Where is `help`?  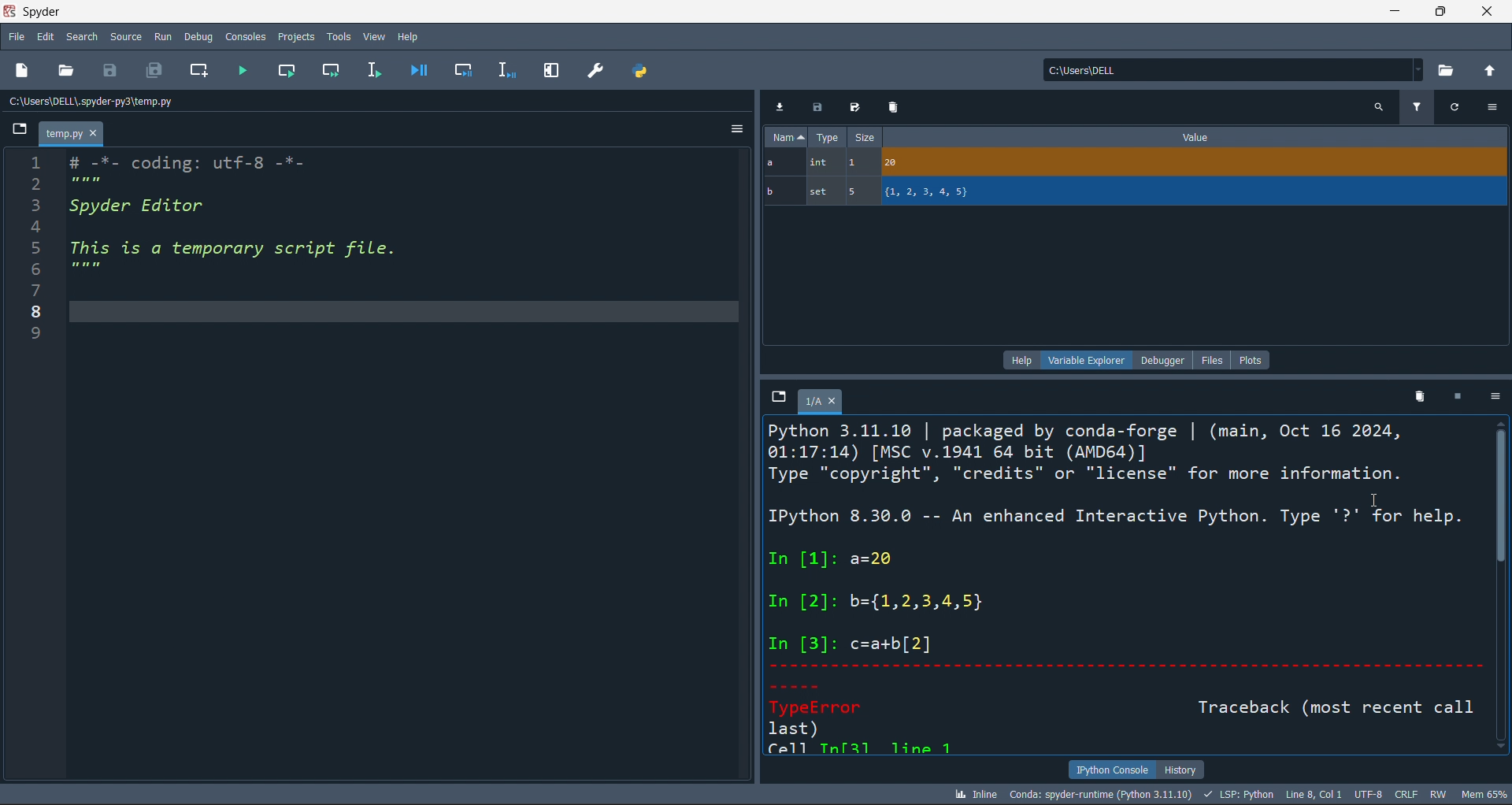
help is located at coordinates (1019, 359).